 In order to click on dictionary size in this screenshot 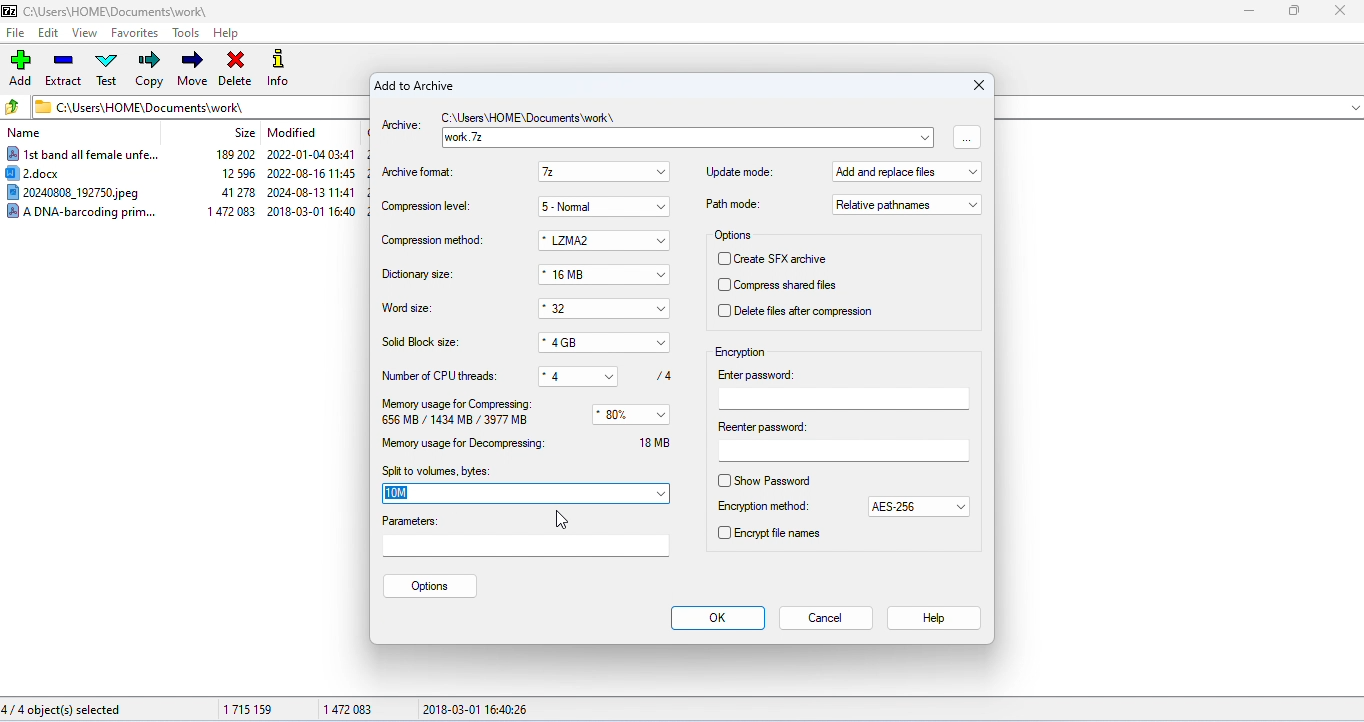, I will do `click(419, 275)`.